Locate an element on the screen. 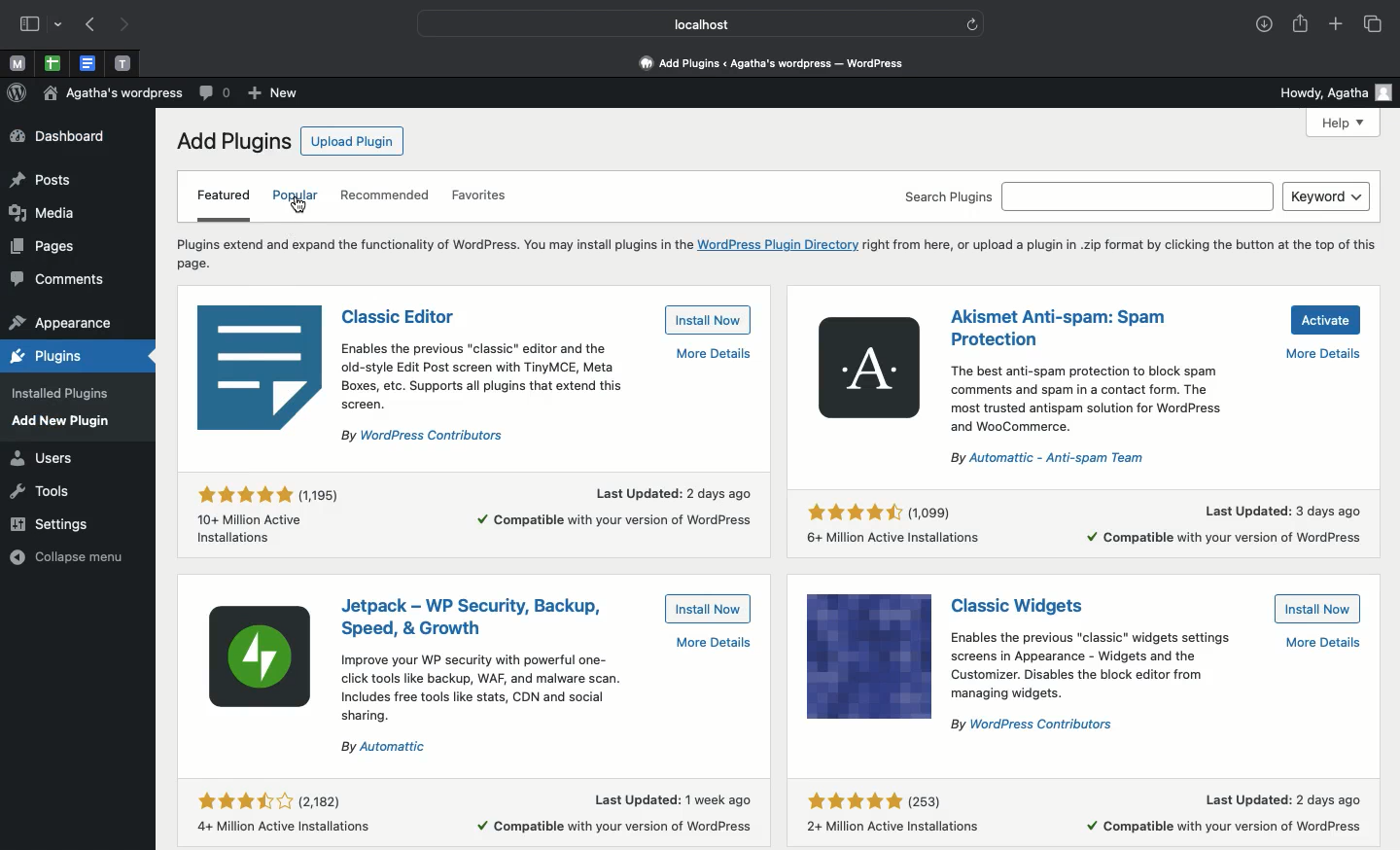 The width and height of the screenshot is (1400, 850). refresh is located at coordinates (971, 24).